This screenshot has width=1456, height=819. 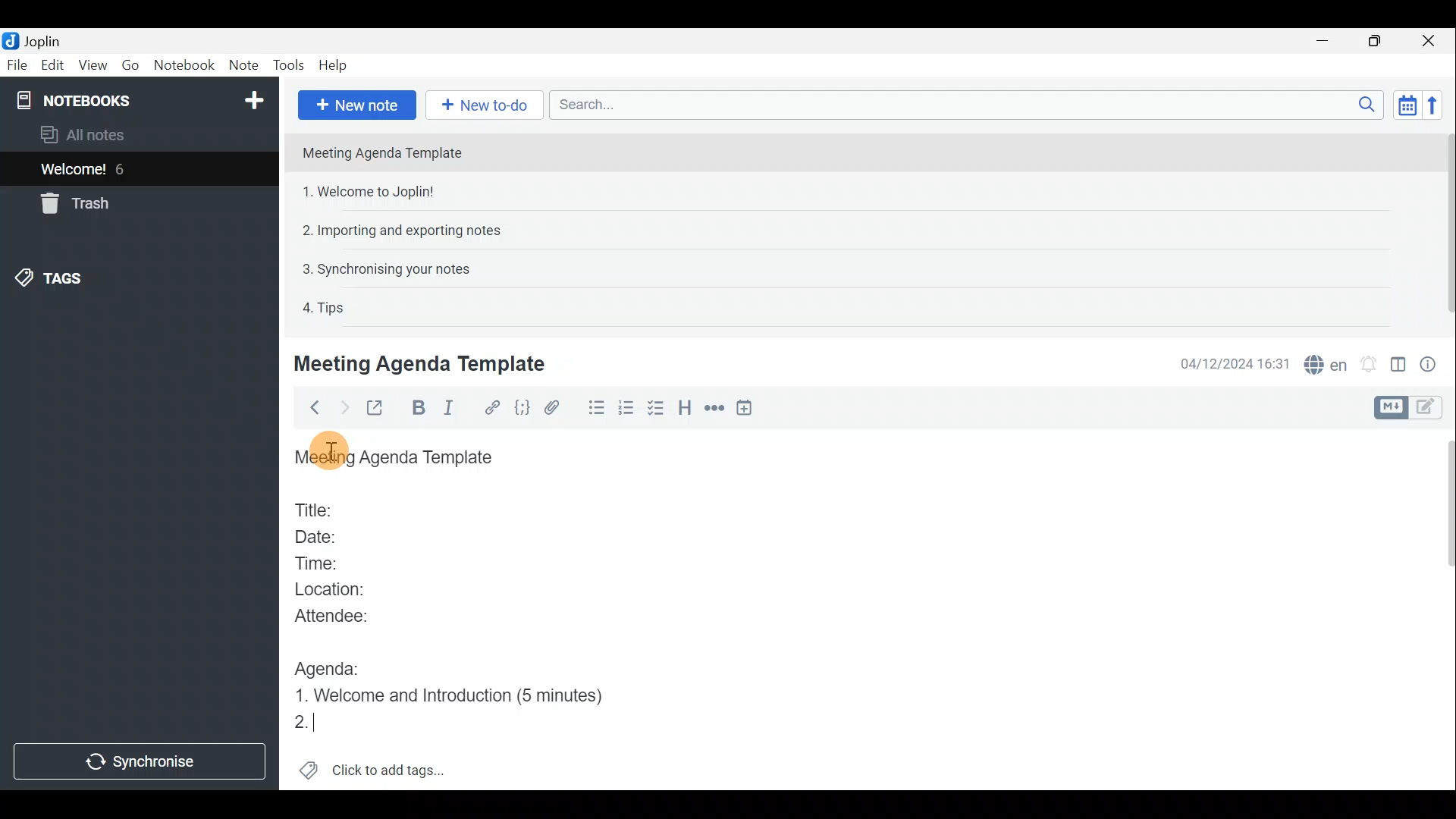 I want to click on Hyperlink, so click(x=494, y=407).